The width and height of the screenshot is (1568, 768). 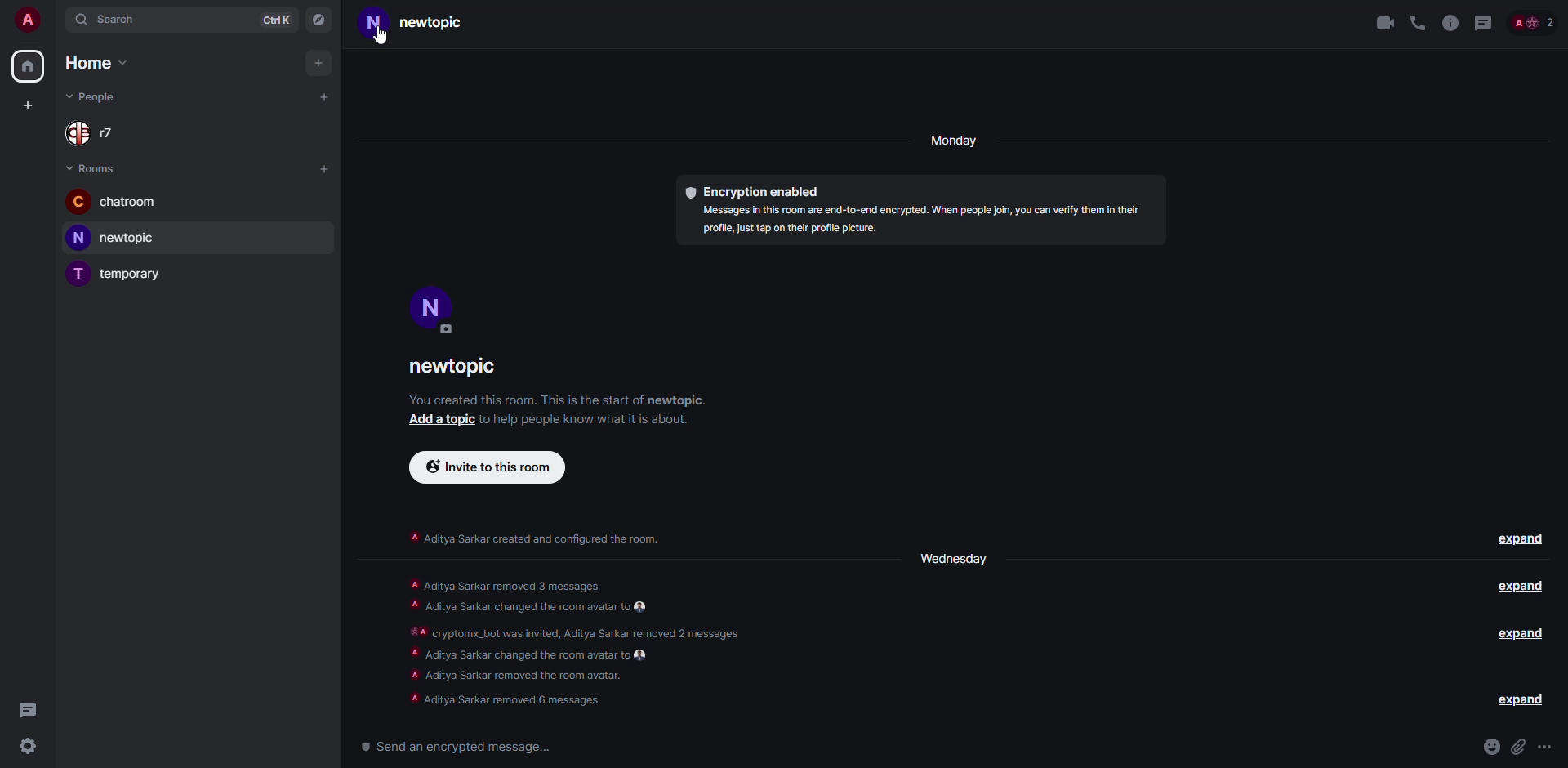 I want to click on A Aditya Sarkar removed 3 messages

A Aditya Sarkar changed the room avatar to #8)

#4 cryptomx_bot was invited, Aditya Sarkar removed 2 messages
A Aditya Sarkar changed the room avatar to 6

A Aditya Sarkar removed the room avatar.

A Aditya Sarkar removed 6 messages, so click(x=577, y=641).